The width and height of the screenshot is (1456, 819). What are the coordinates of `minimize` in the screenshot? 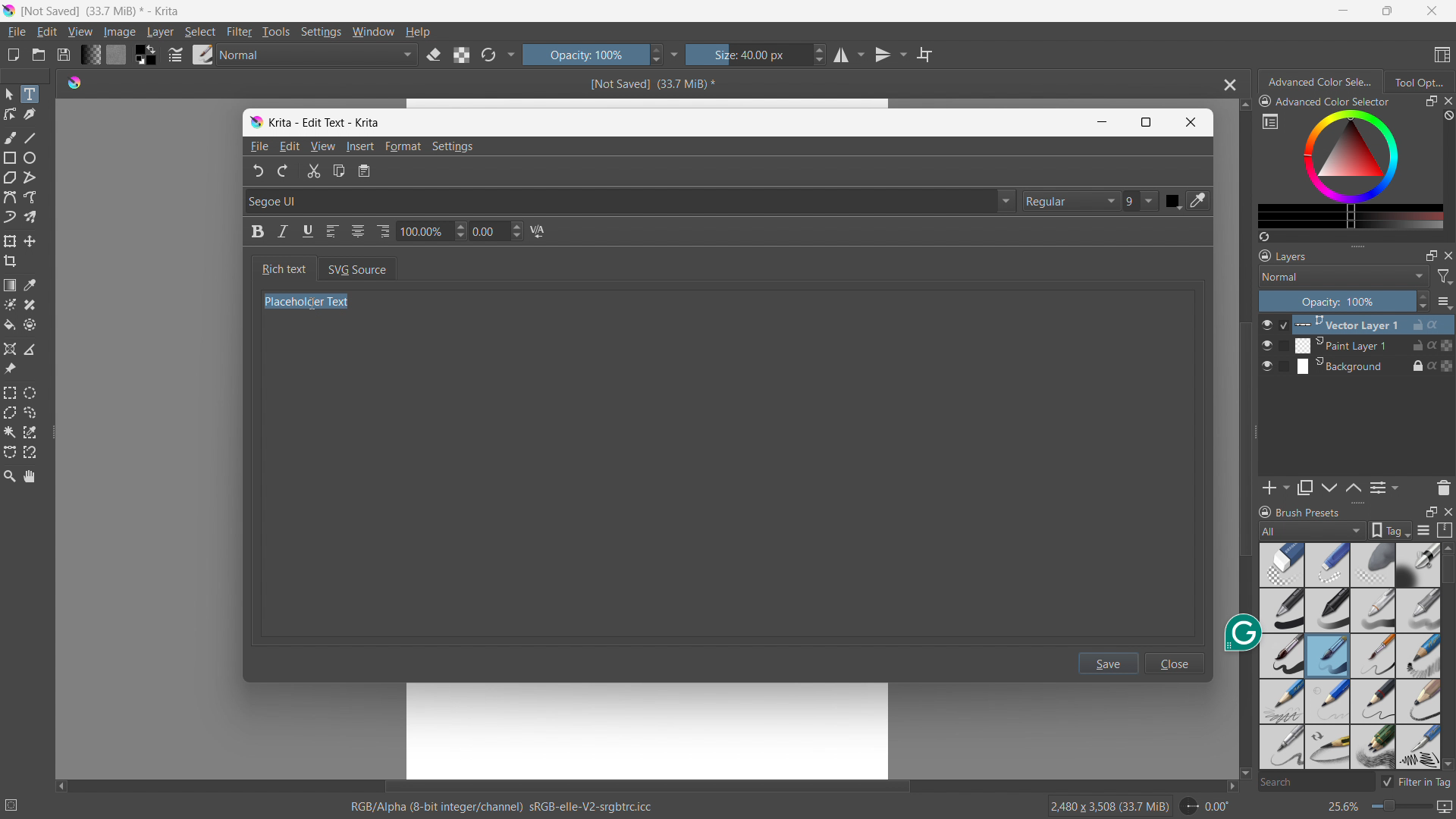 It's located at (1103, 122).